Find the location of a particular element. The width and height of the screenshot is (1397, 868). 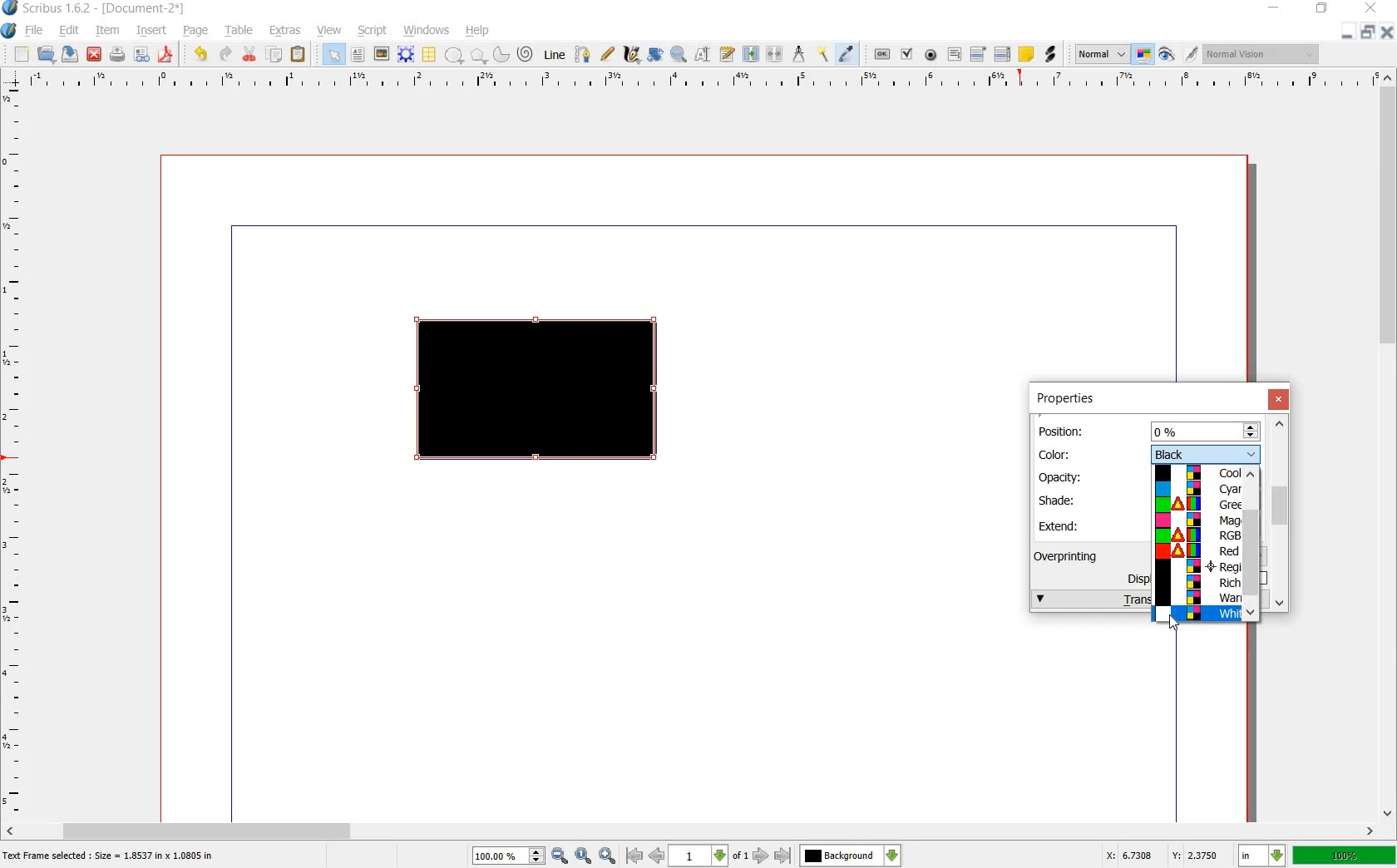

select the image preview quality is located at coordinates (1102, 55).